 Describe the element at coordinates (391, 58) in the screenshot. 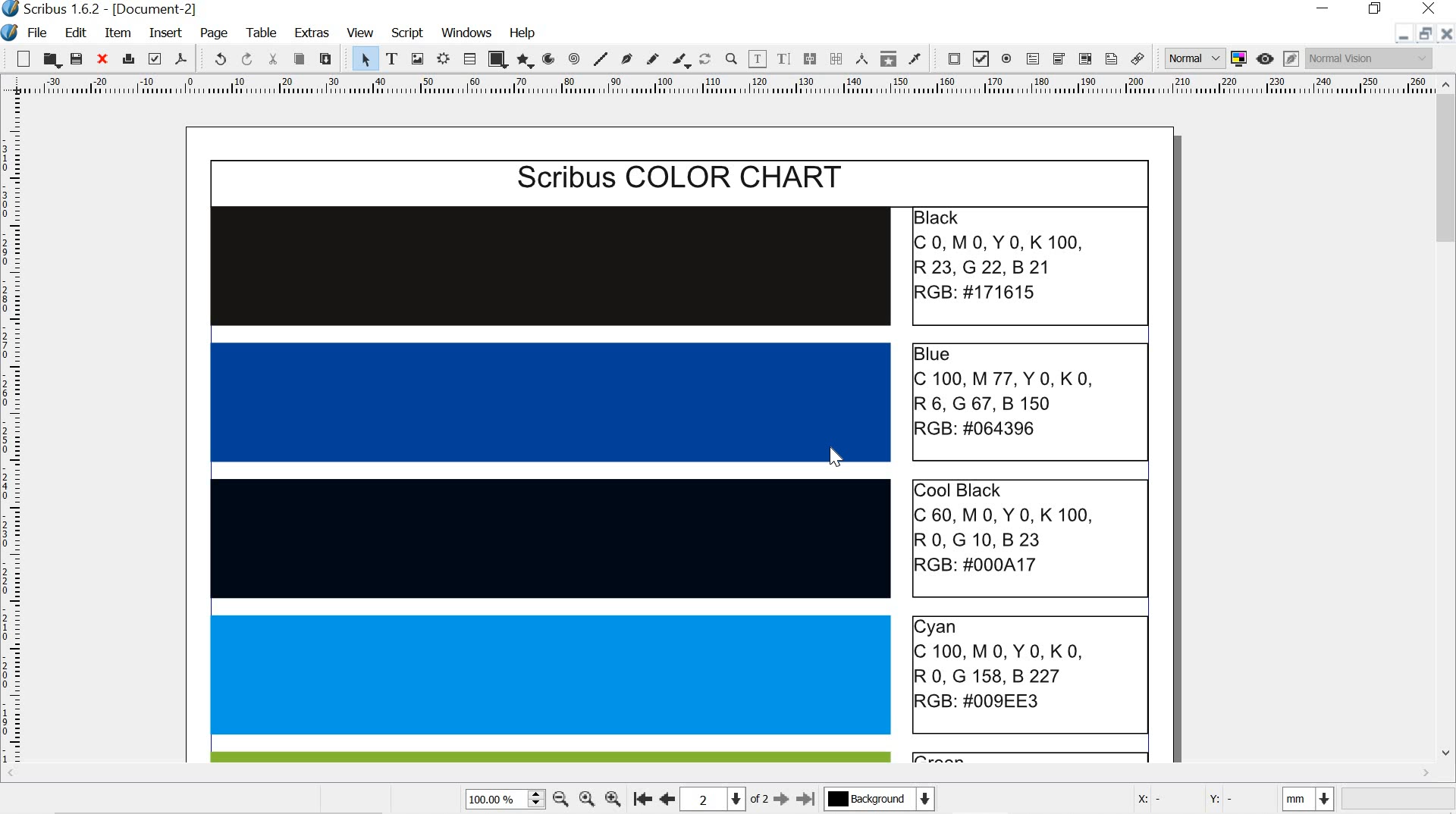

I see `text frame` at that location.